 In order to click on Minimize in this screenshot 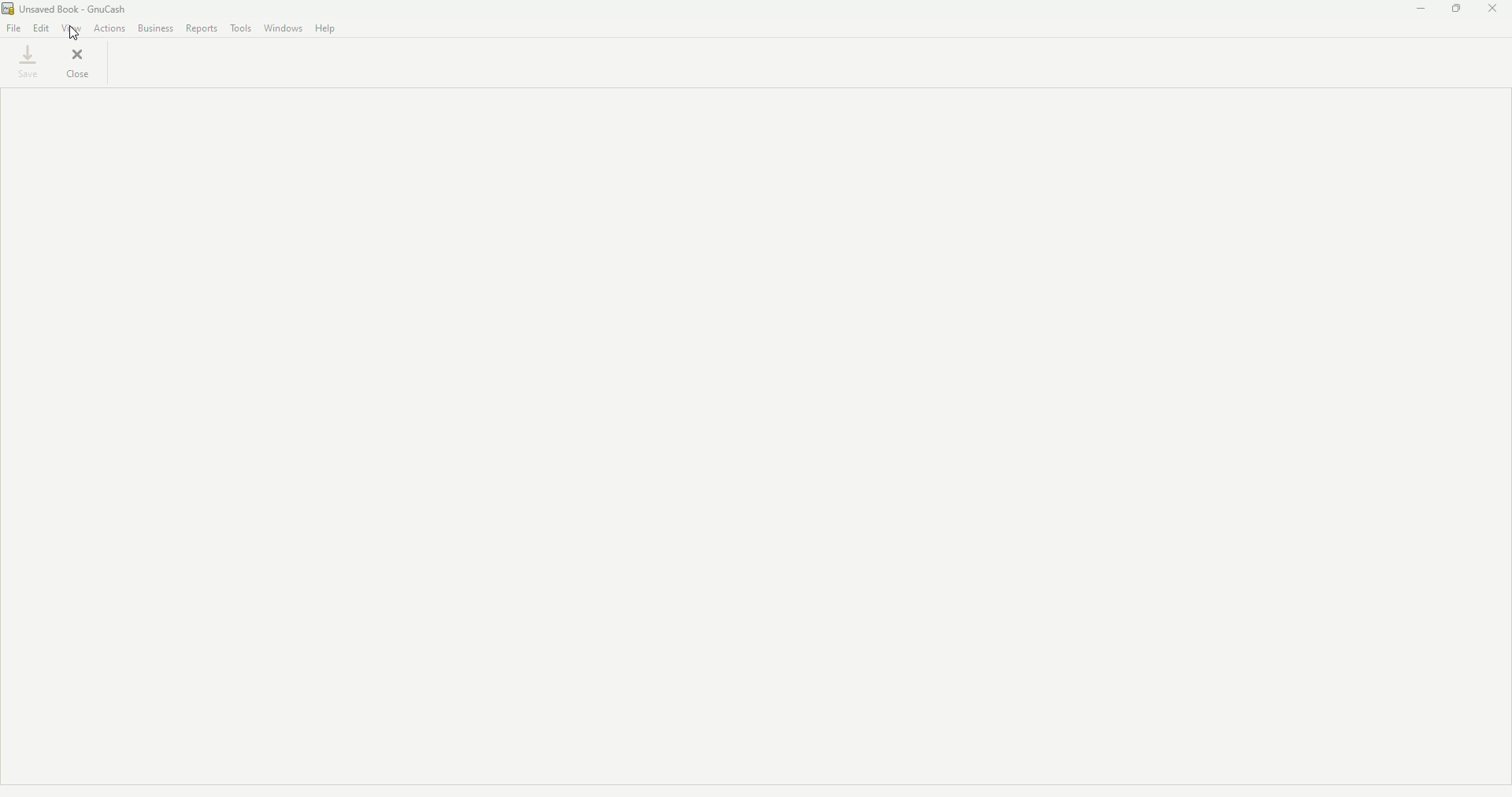, I will do `click(1417, 9)`.